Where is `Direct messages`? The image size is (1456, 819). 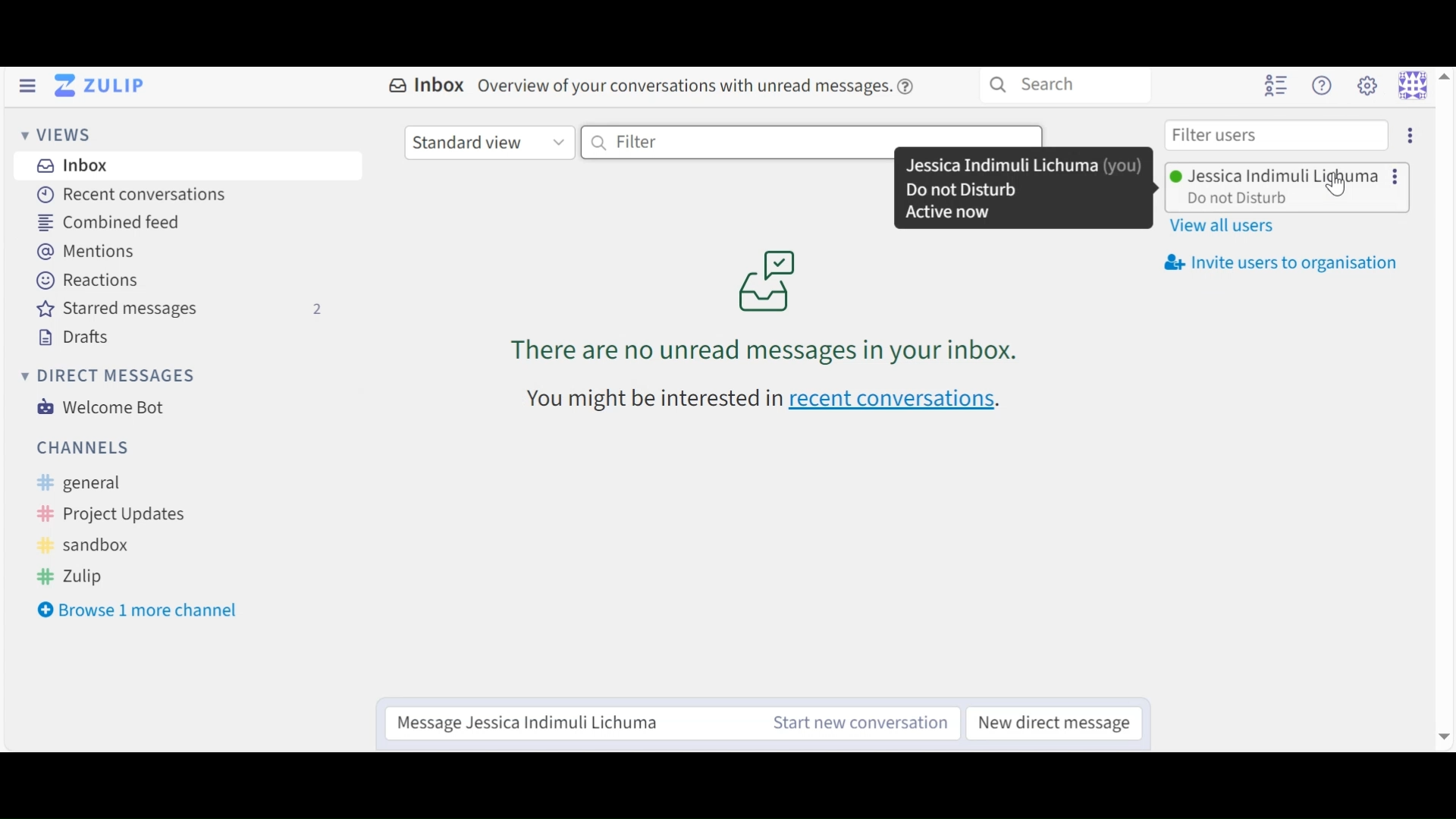 Direct messages is located at coordinates (110, 378).